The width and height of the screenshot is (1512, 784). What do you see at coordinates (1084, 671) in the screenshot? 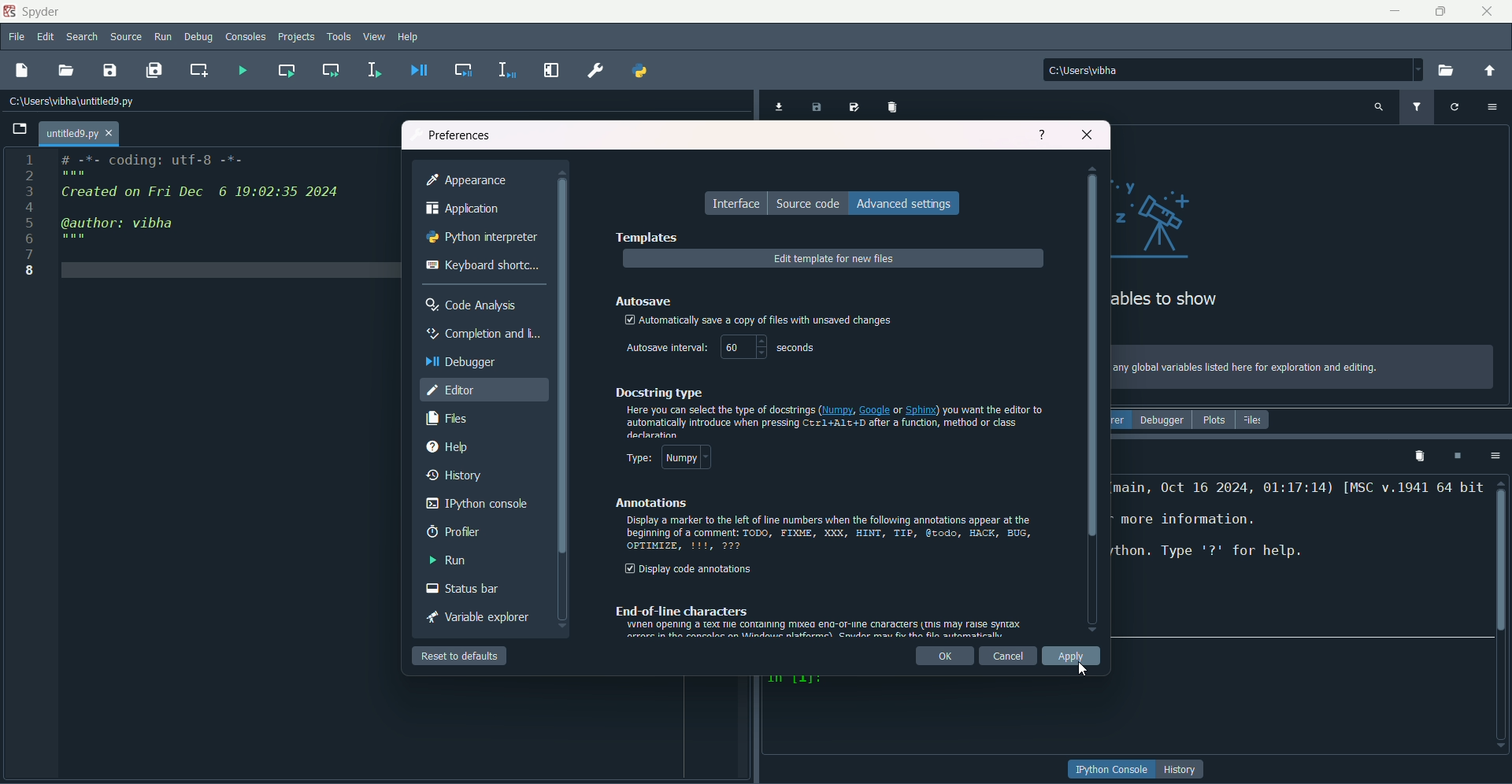
I see `cursor` at bounding box center [1084, 671].